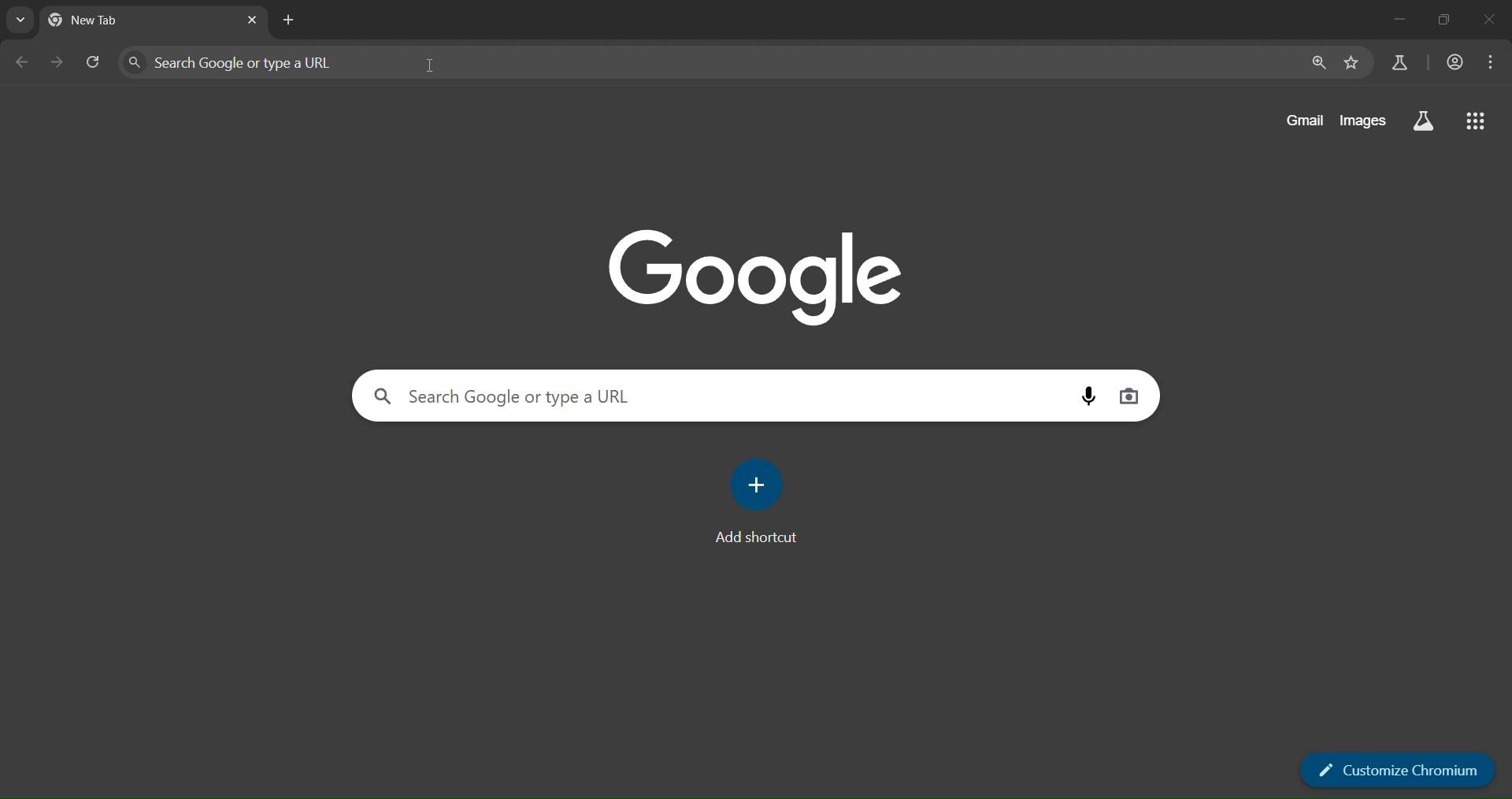 Image resolution: width=1512 pixels, height=799 pixels. Describe the element at coordinates (1317, 63) in the screenshot. I see `zoom` at that location.